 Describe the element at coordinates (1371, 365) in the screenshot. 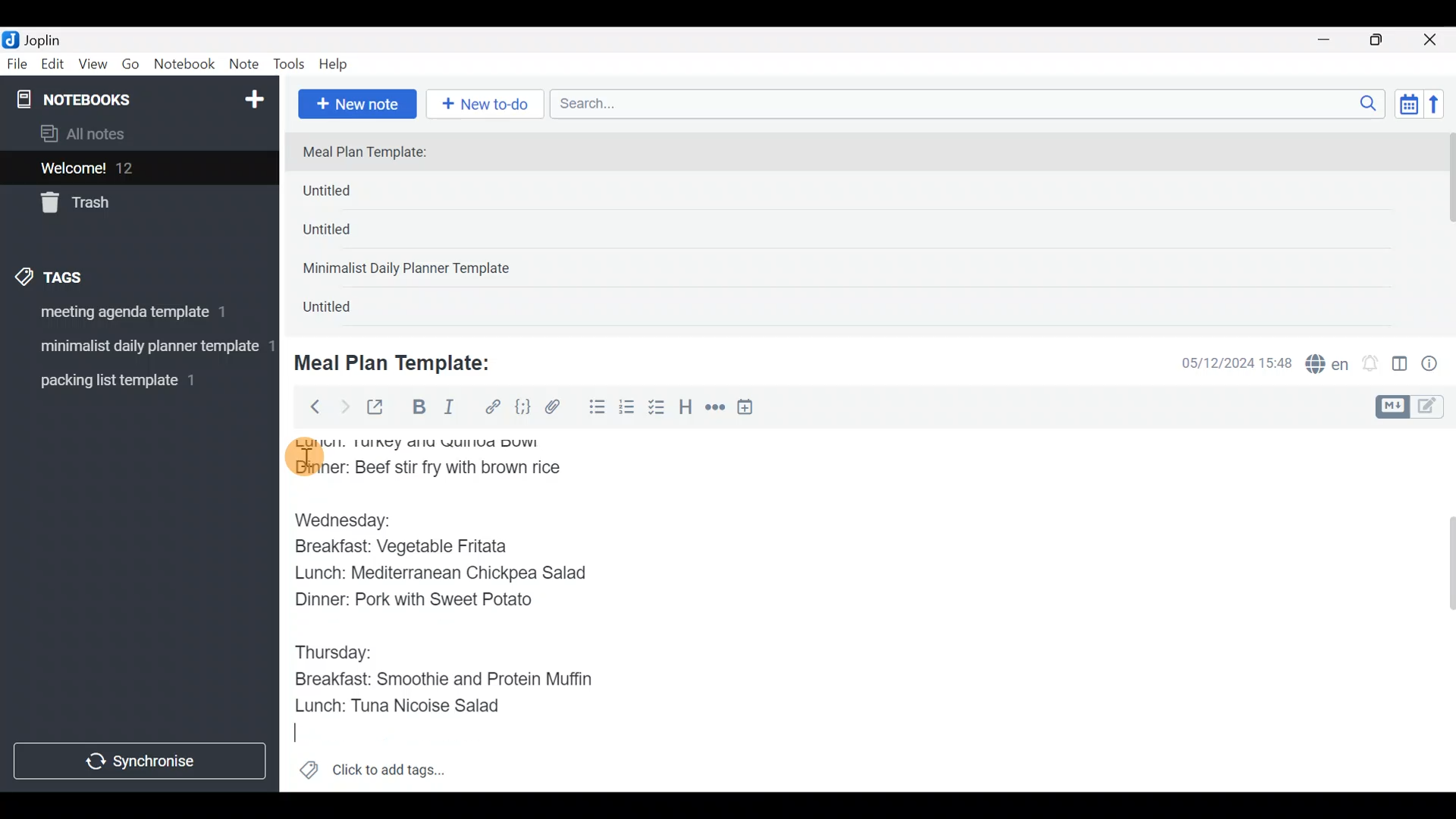

I see `Set alarm` at that location.